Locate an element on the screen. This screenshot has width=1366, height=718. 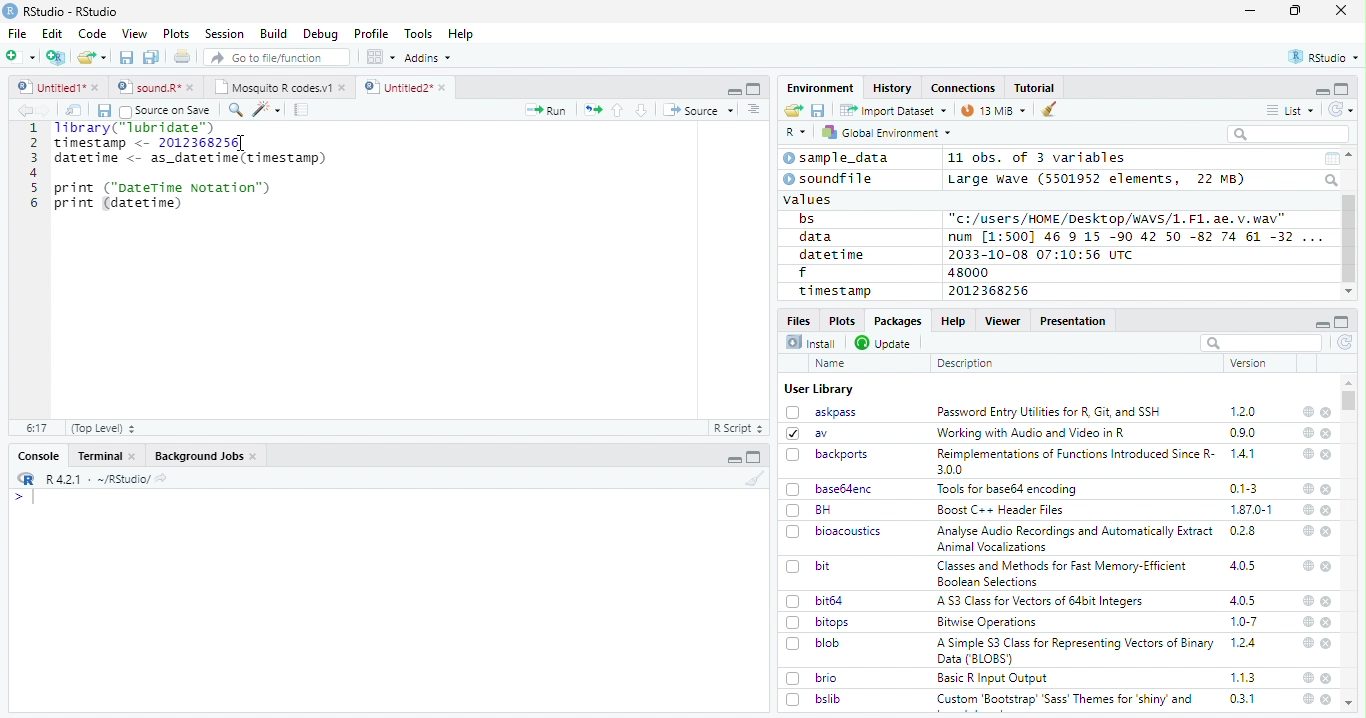
Save all the open documents is located at coordinates (152, 58).